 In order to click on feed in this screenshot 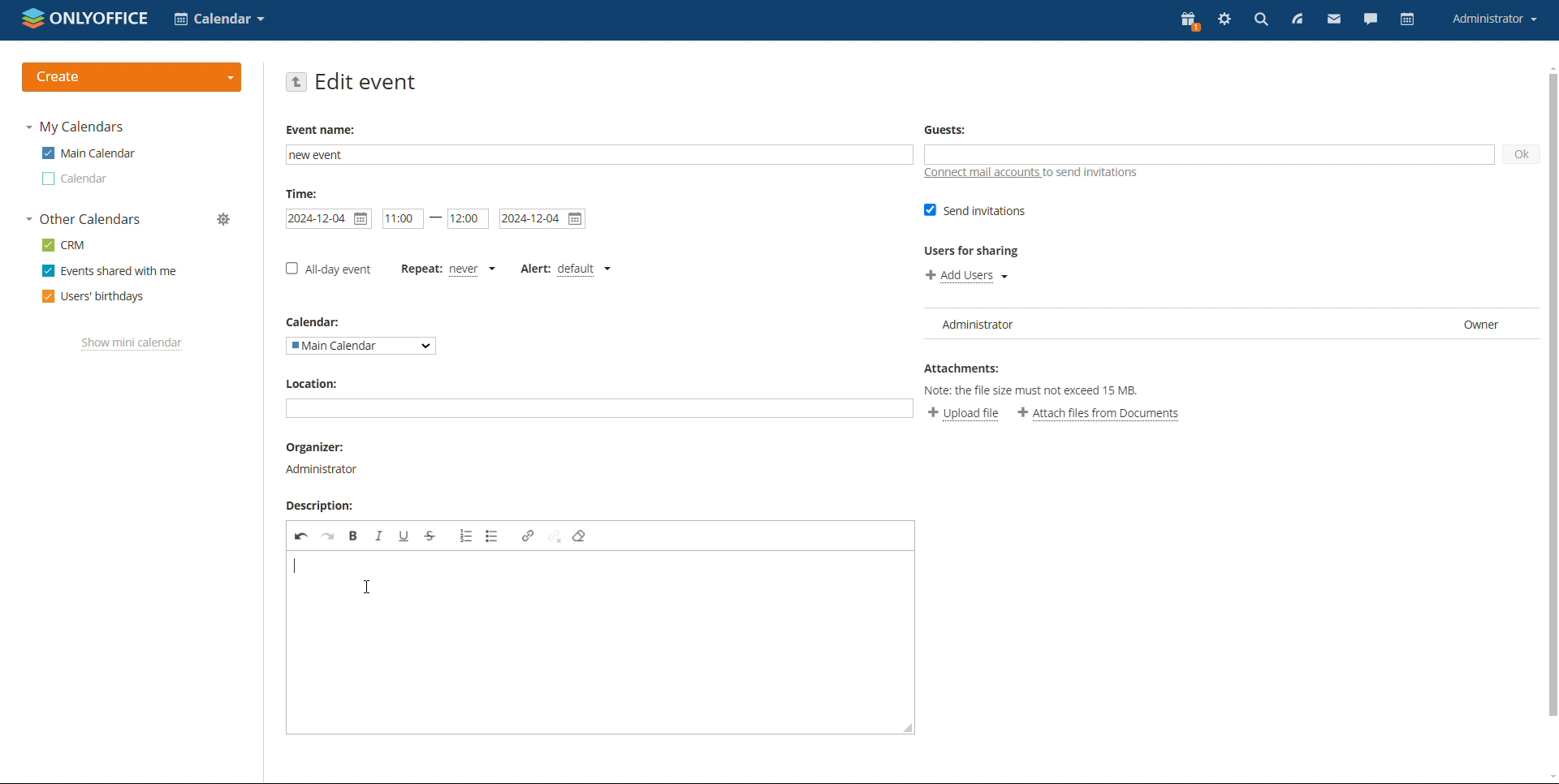, I will do `click(1298, 20)`.